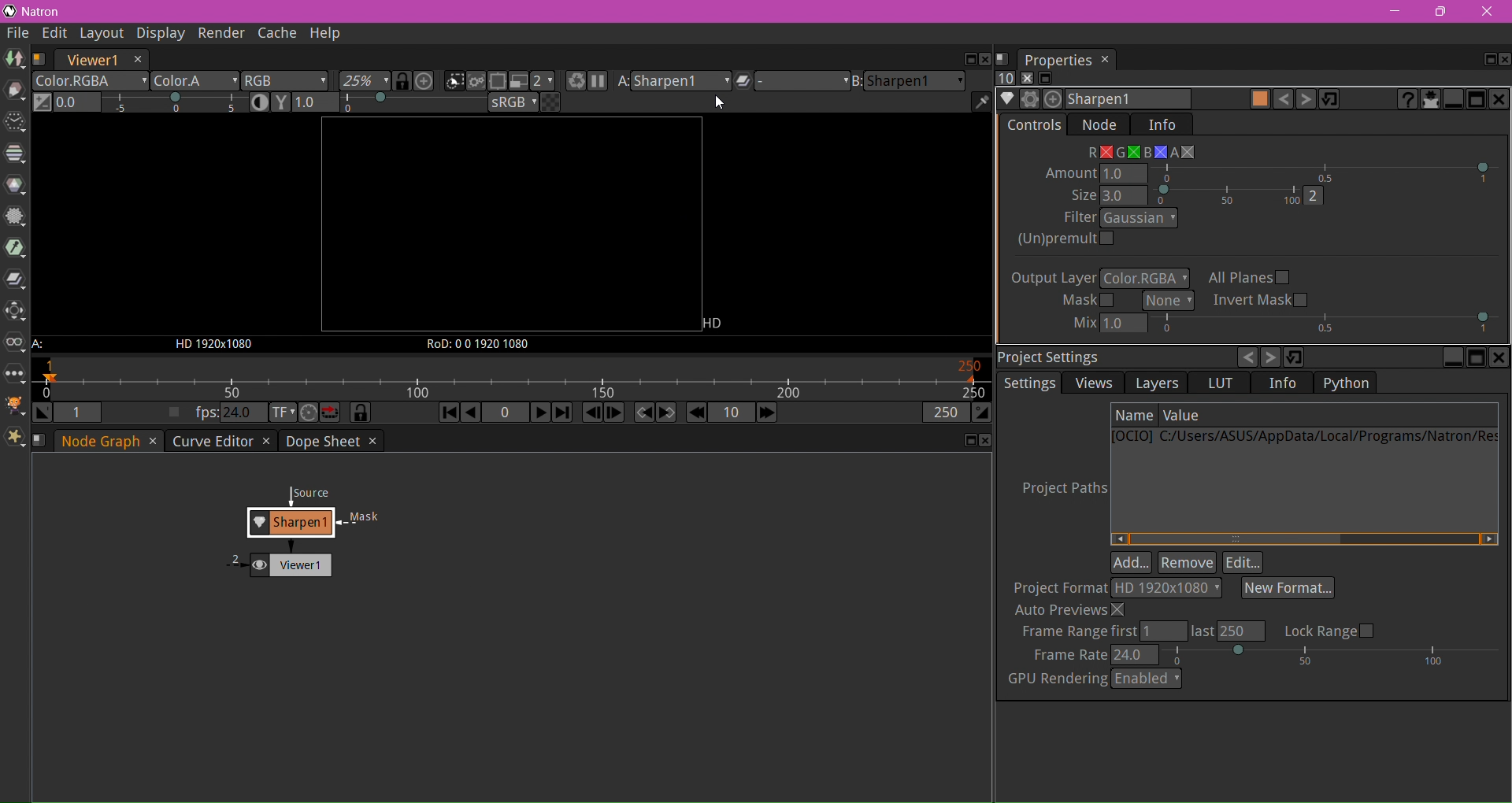 This screenshot has width=1512, height=803. What do you see at coordinates (1092, 383) in the screenshot?
I see `Views` at bounding box center [1092, 383].